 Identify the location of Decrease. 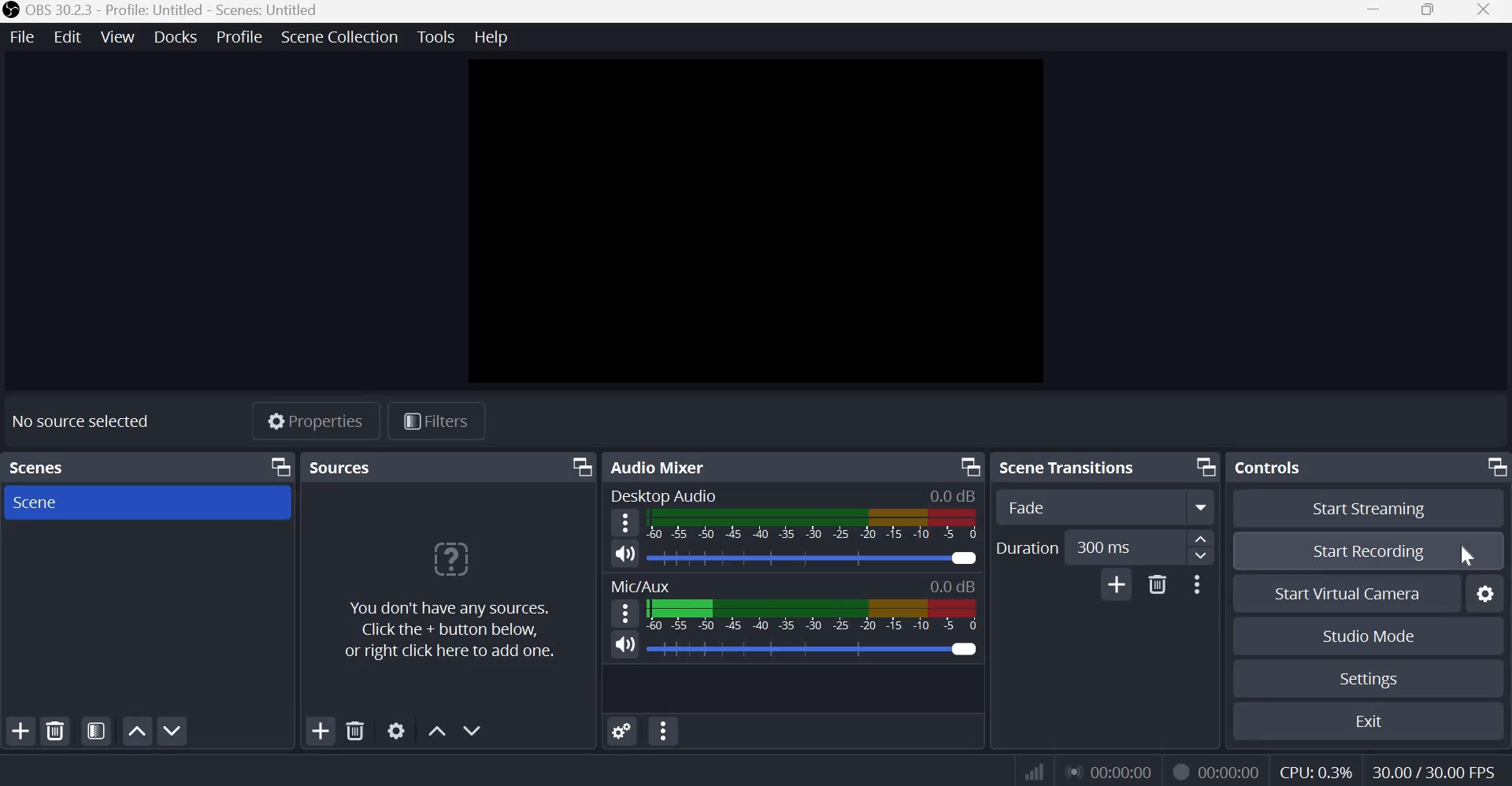
(1204, 557).